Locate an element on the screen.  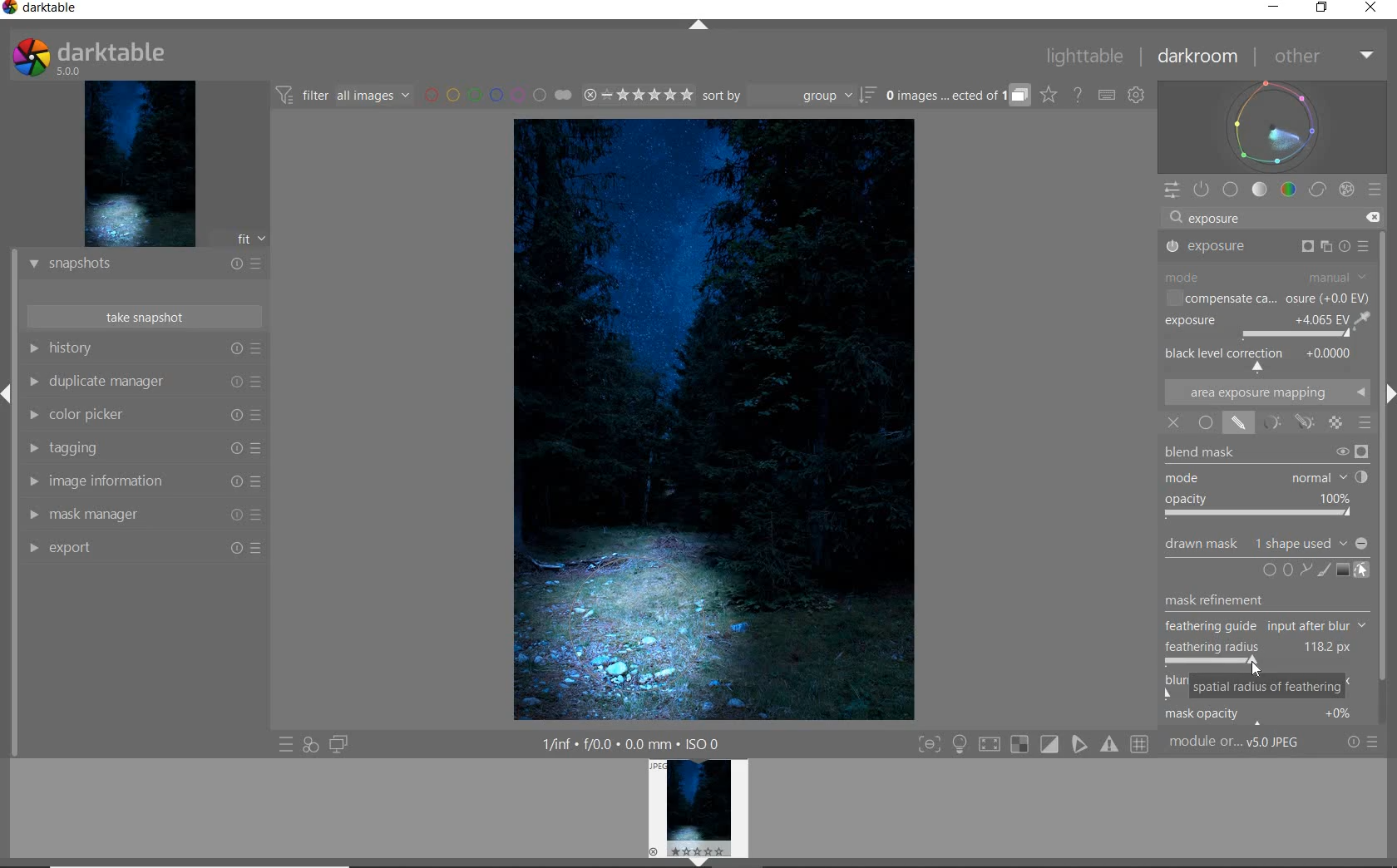
BASE is located at coordinates (1231, 189).